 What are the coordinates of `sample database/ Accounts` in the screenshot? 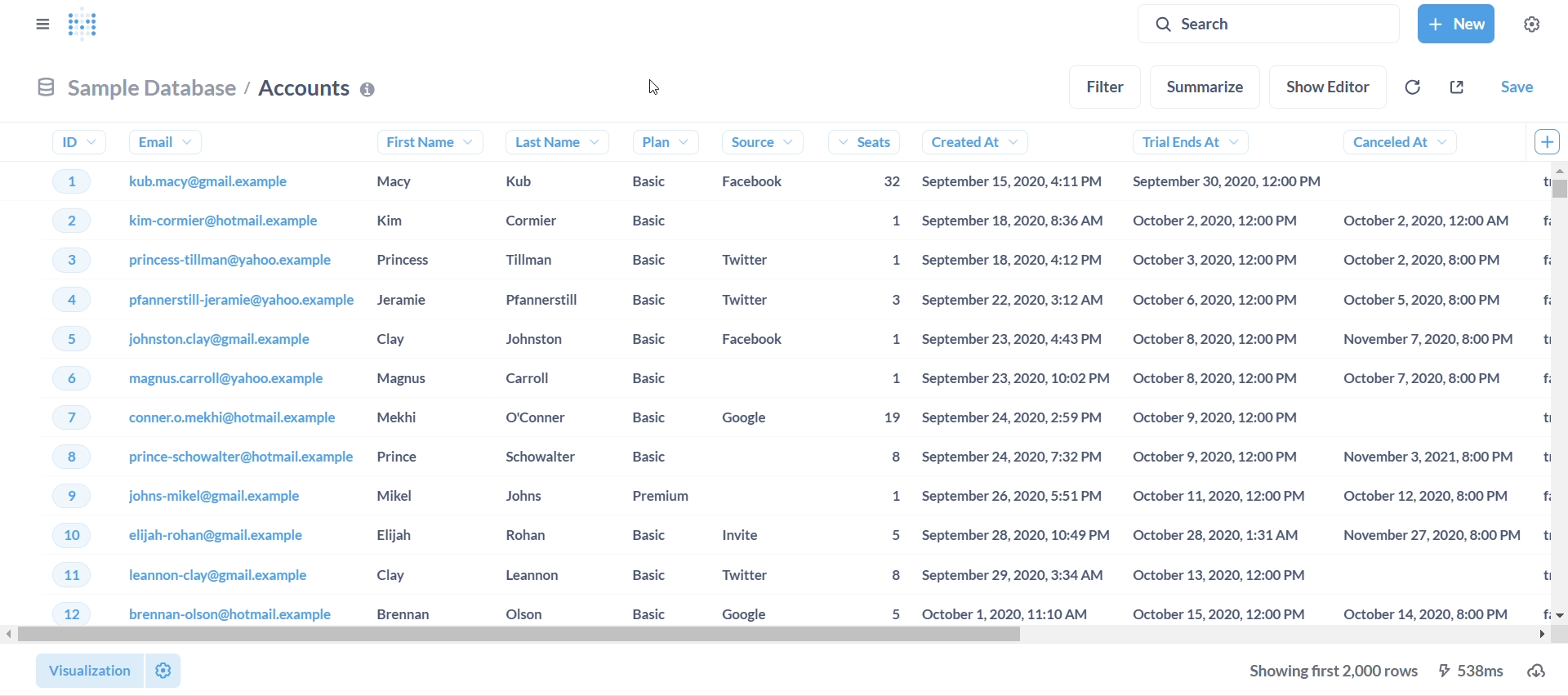 It's located at (189, 88).